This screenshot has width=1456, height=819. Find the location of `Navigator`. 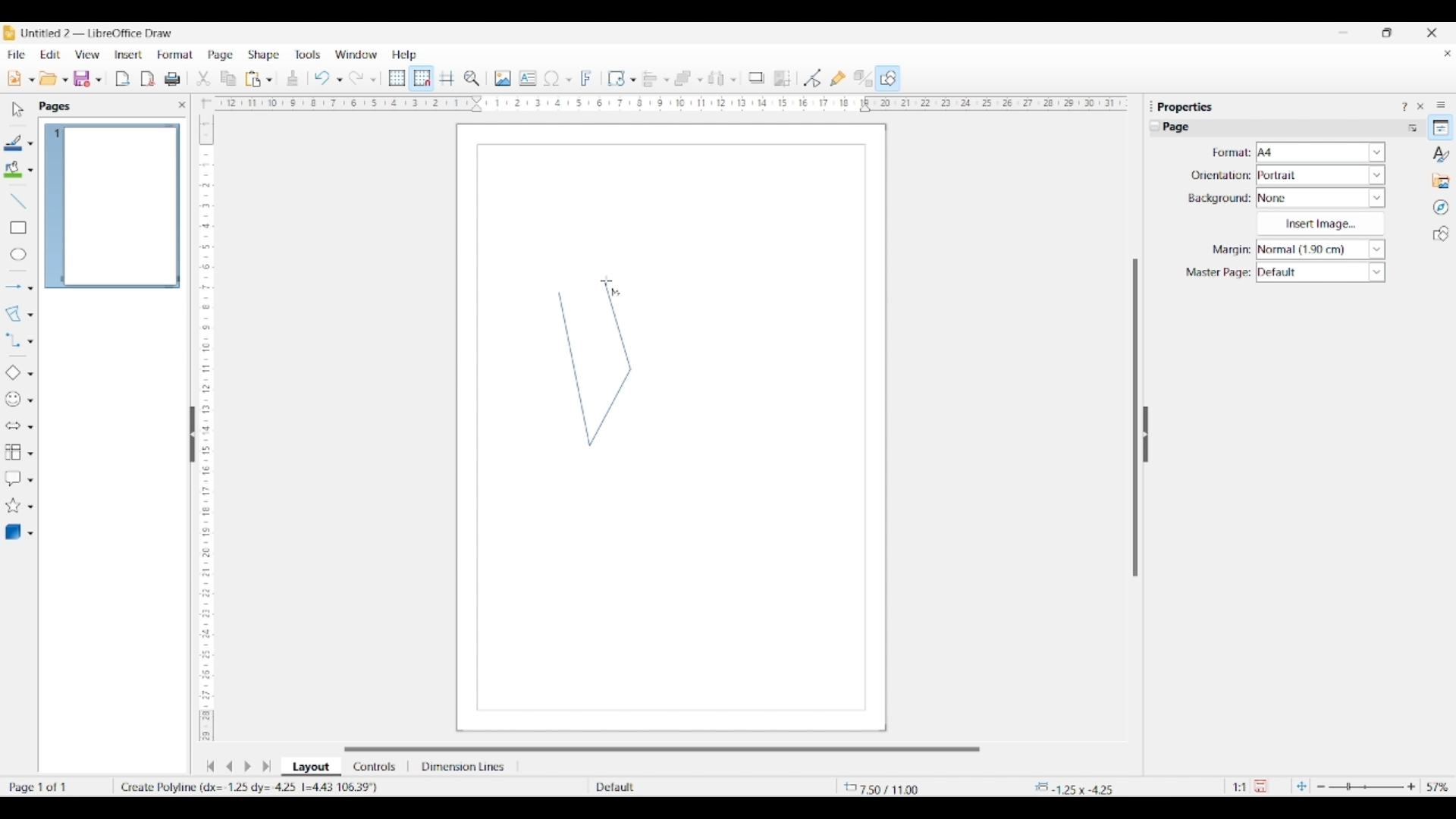

Navigator is located at coordinates (1441, 208).